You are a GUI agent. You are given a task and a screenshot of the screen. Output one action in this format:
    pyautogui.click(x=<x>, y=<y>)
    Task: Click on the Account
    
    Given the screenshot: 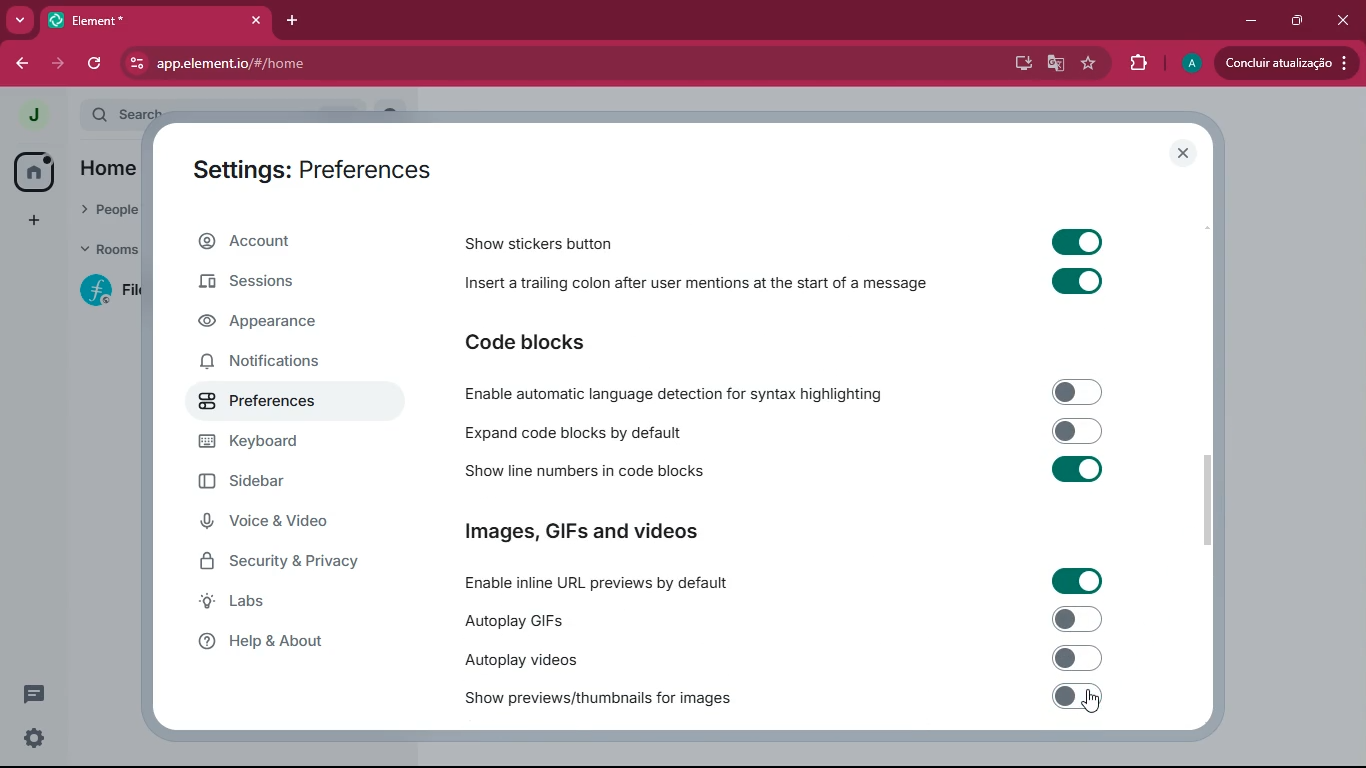 What is the action you would take?
    pyautogui.click(x=283, y=241)
    